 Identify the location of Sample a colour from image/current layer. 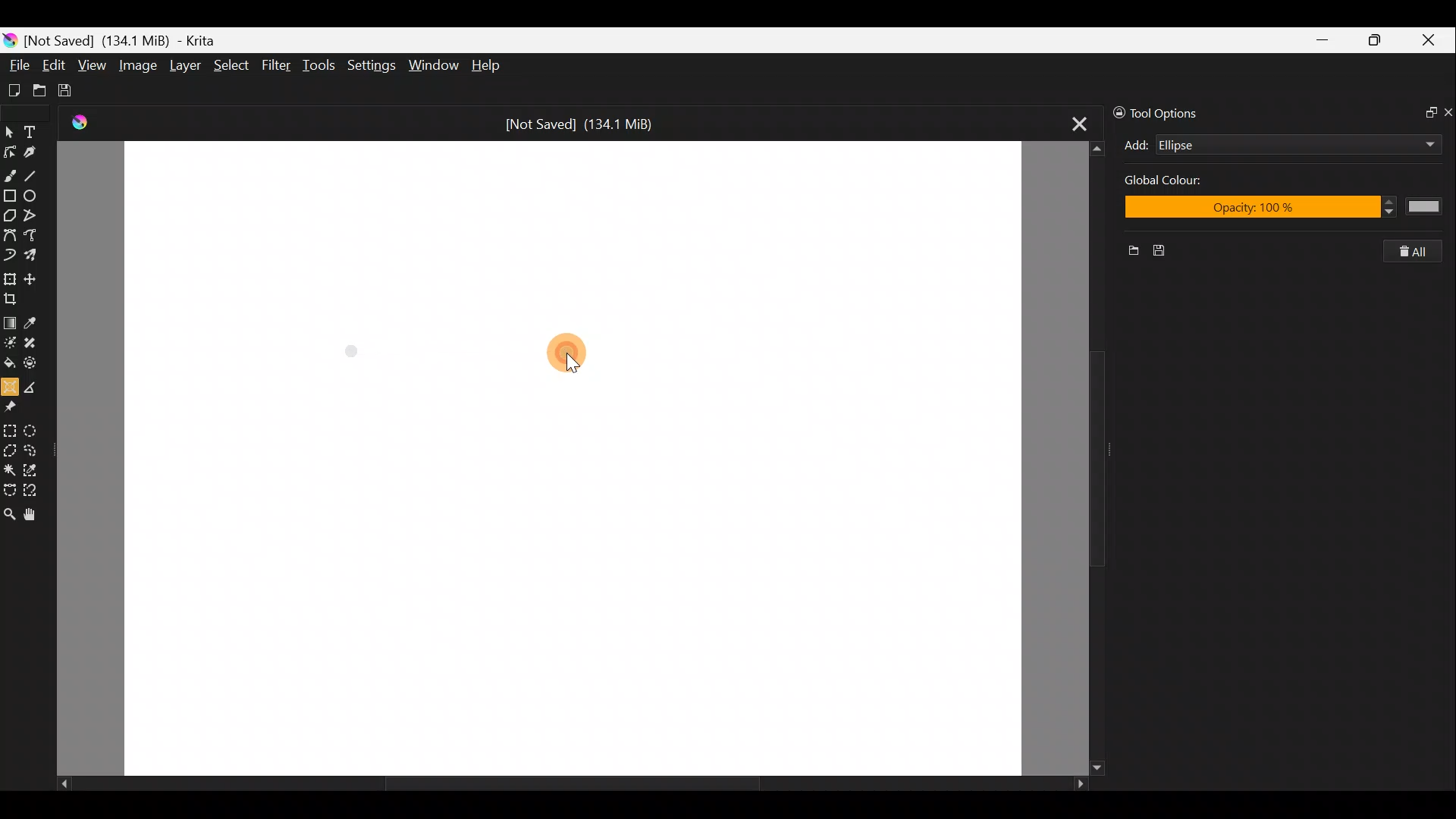
(33, 320).